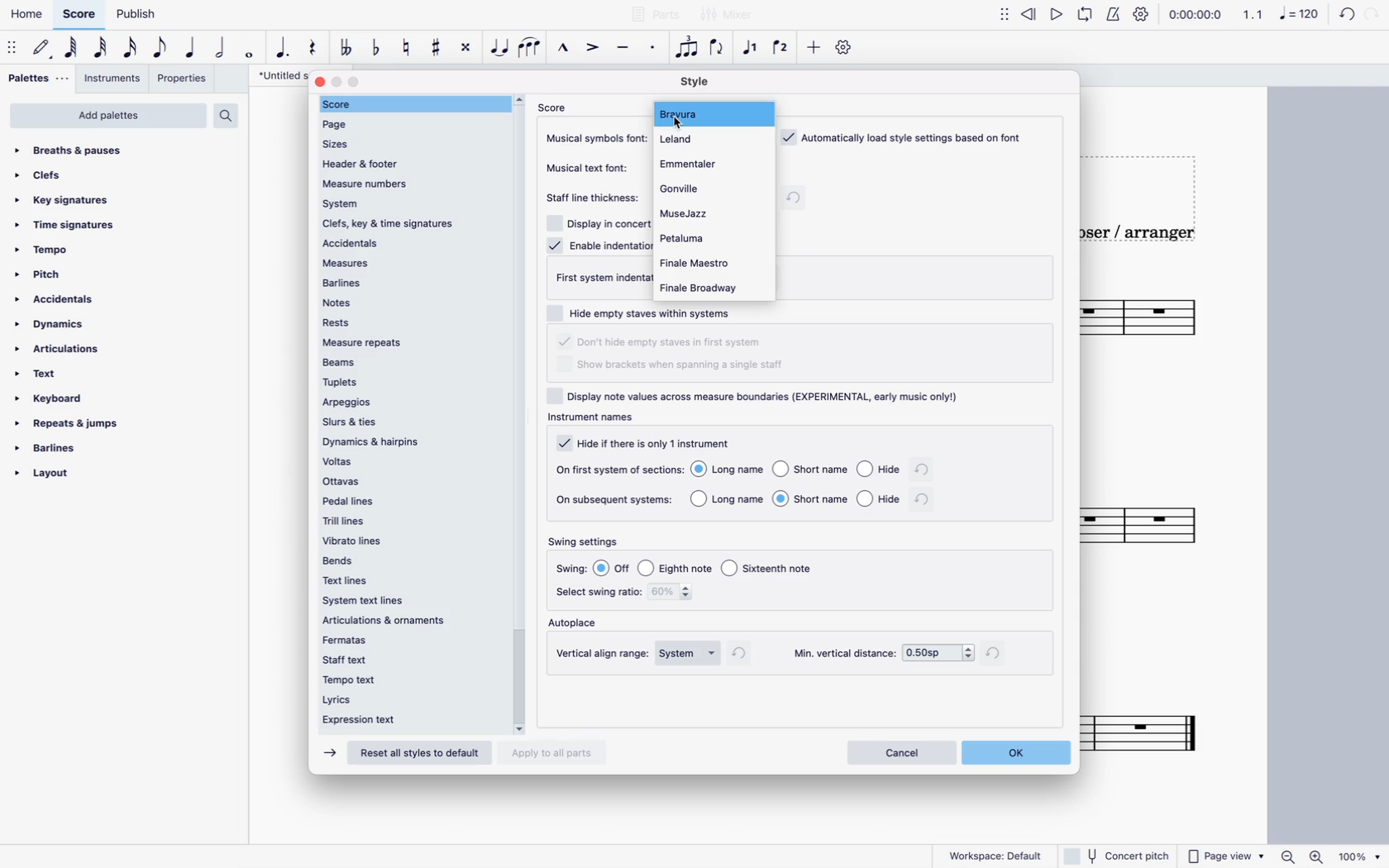  What do you see at coordinates (161, 50) in the screenshot?
I see `eighth note` at bounding box center [161, 50].